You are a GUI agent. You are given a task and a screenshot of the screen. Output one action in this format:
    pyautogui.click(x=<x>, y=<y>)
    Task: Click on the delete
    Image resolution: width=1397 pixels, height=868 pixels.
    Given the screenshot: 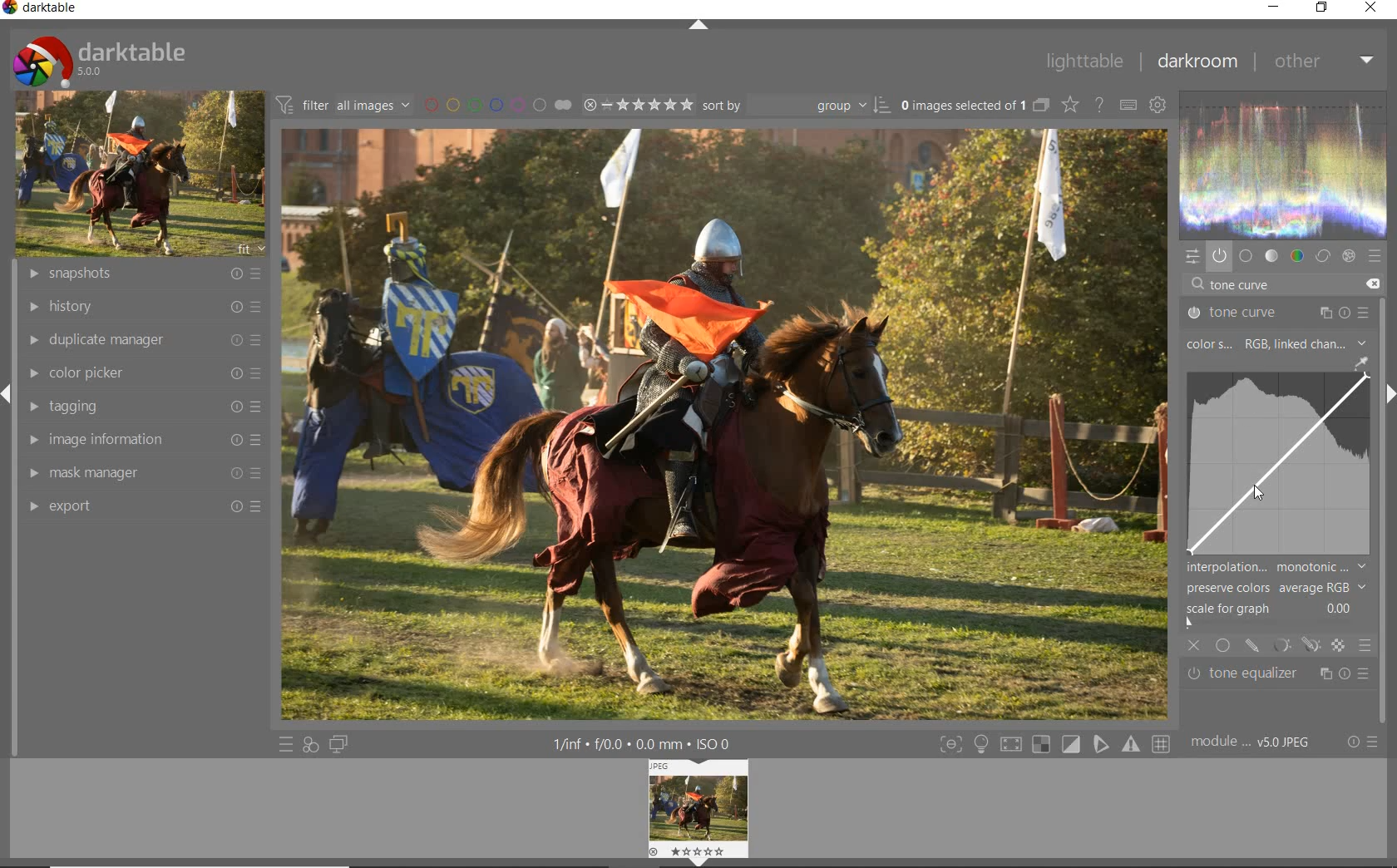 What is the action you would take?
    pyautogui.click(x=1371, y=283)
    